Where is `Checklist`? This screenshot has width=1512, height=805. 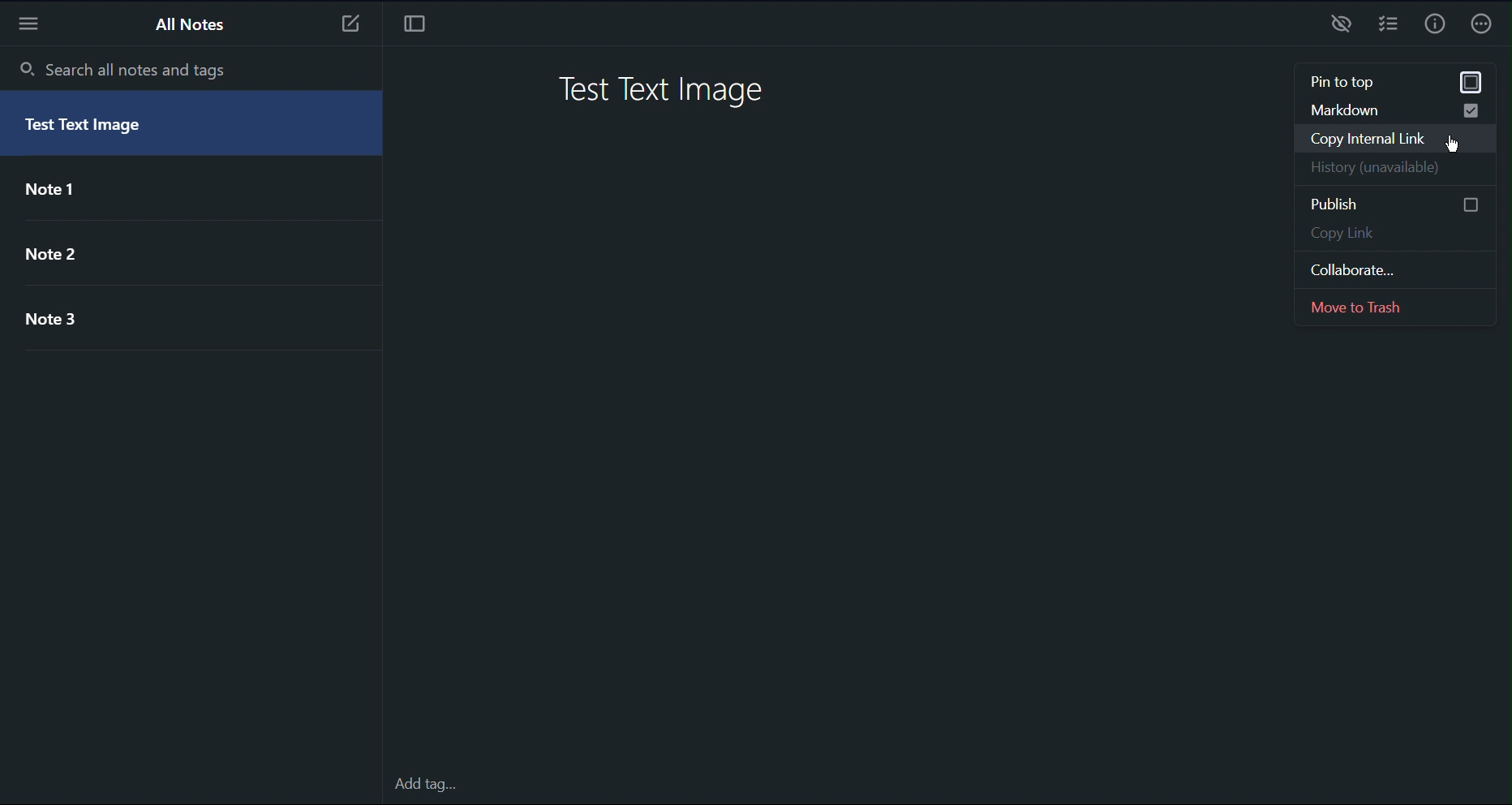
Checklist is located at coordinates (1388, 27).